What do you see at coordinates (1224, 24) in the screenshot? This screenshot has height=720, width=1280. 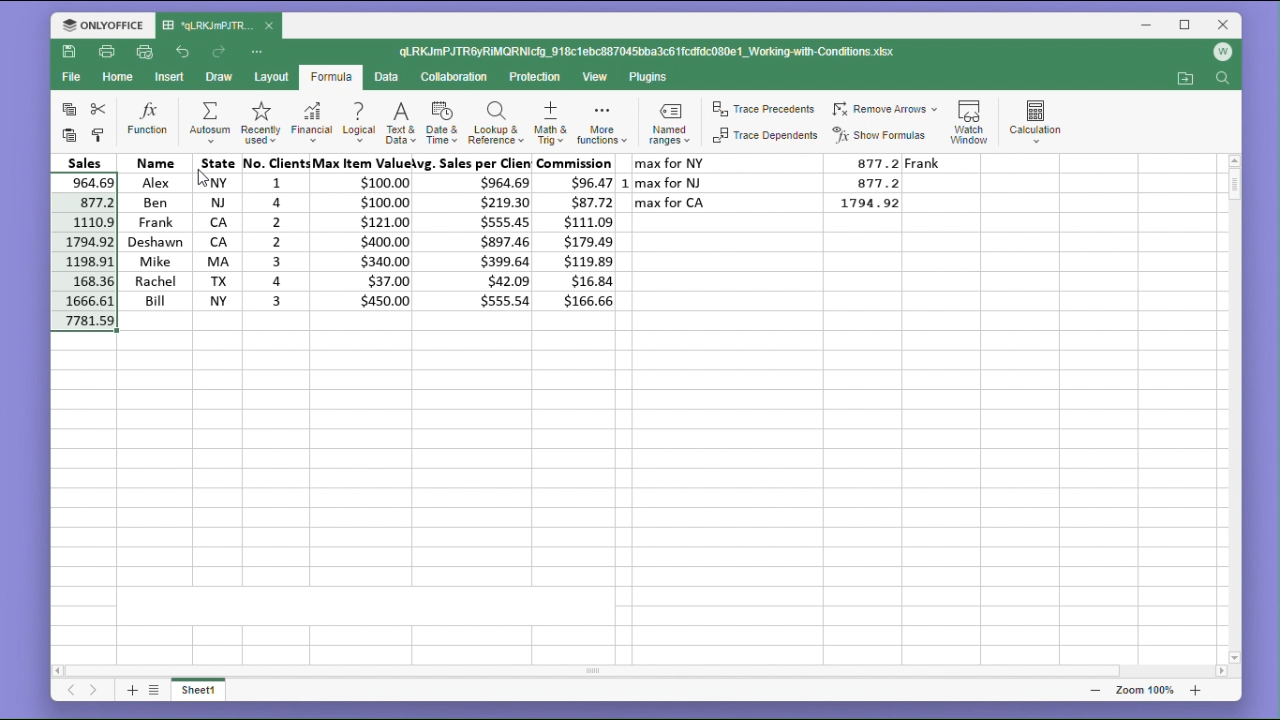 I see `close` at bounding box center [1224, 24].